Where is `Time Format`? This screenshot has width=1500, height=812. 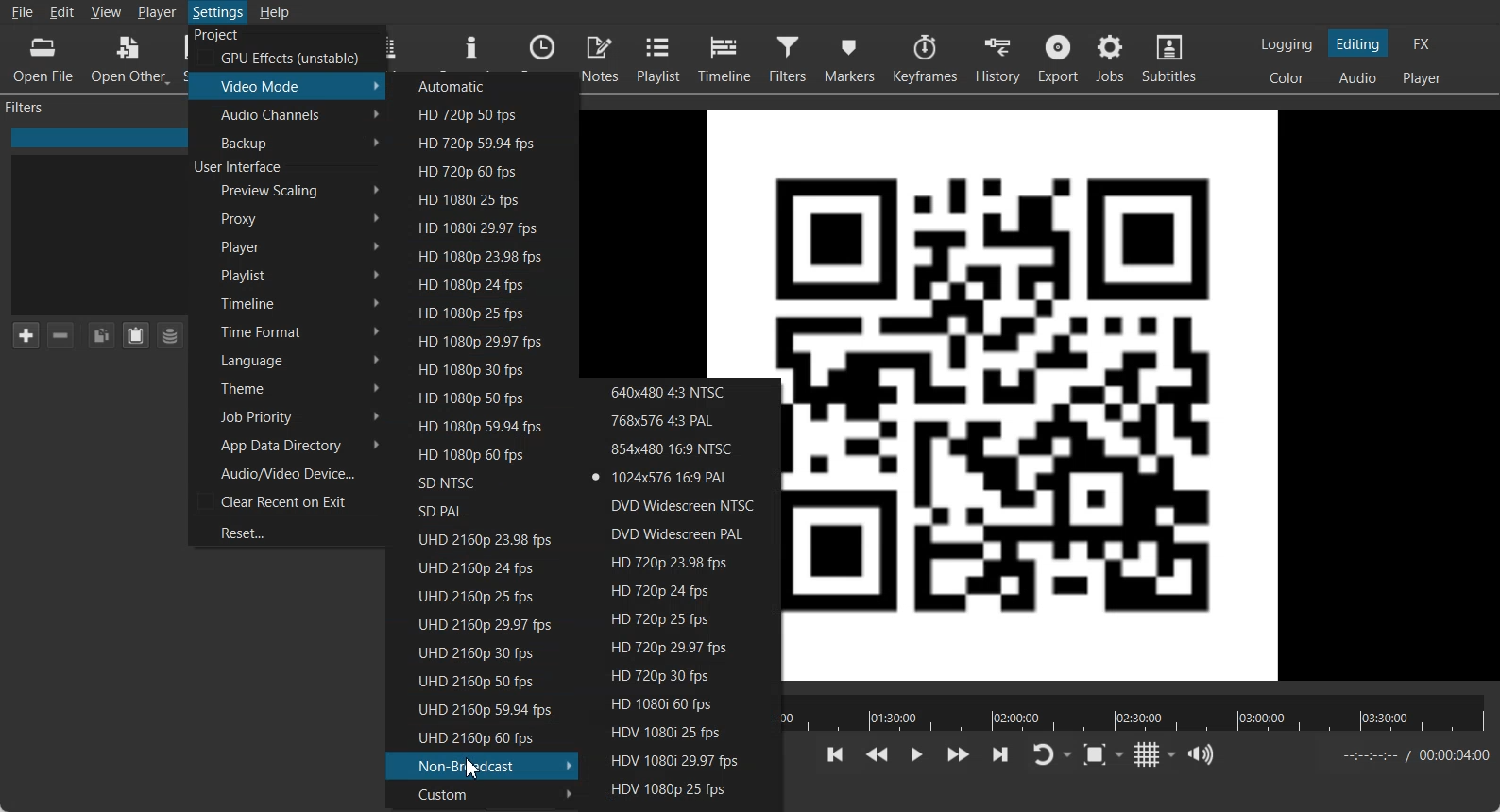 Time Format is located at coordinates (287, 331).